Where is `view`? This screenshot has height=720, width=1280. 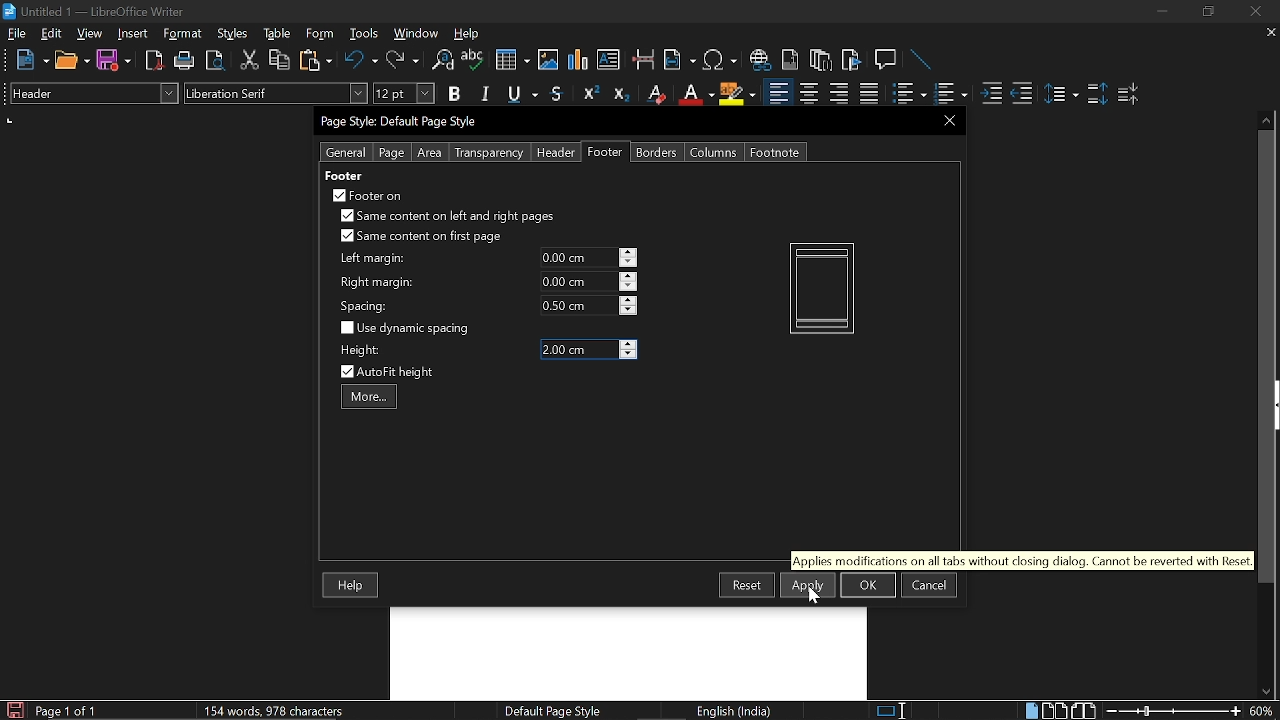
view is located at coordinates (90, 33).